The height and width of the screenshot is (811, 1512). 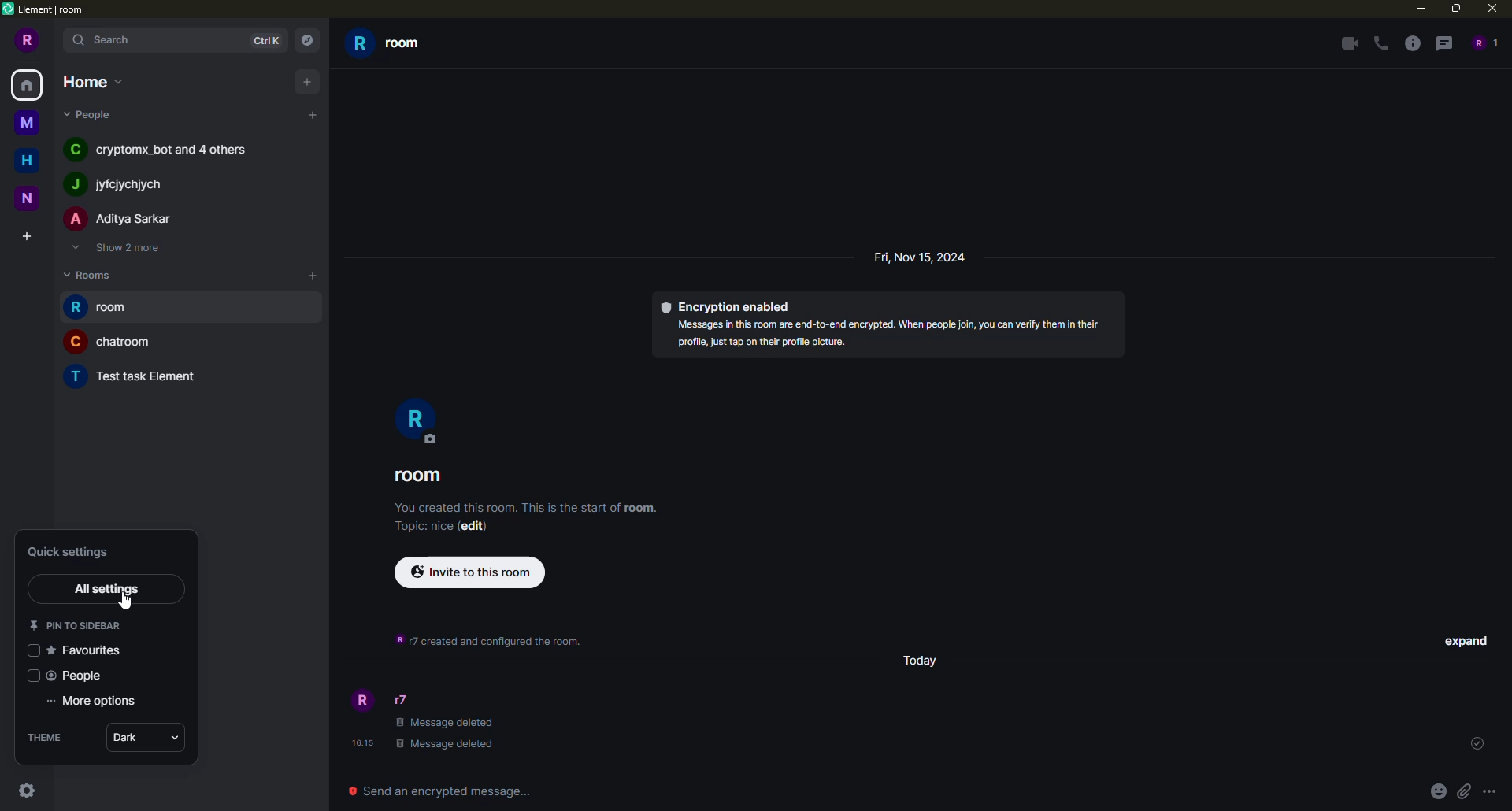 I want to click on topic, so click(x=421, y=528).